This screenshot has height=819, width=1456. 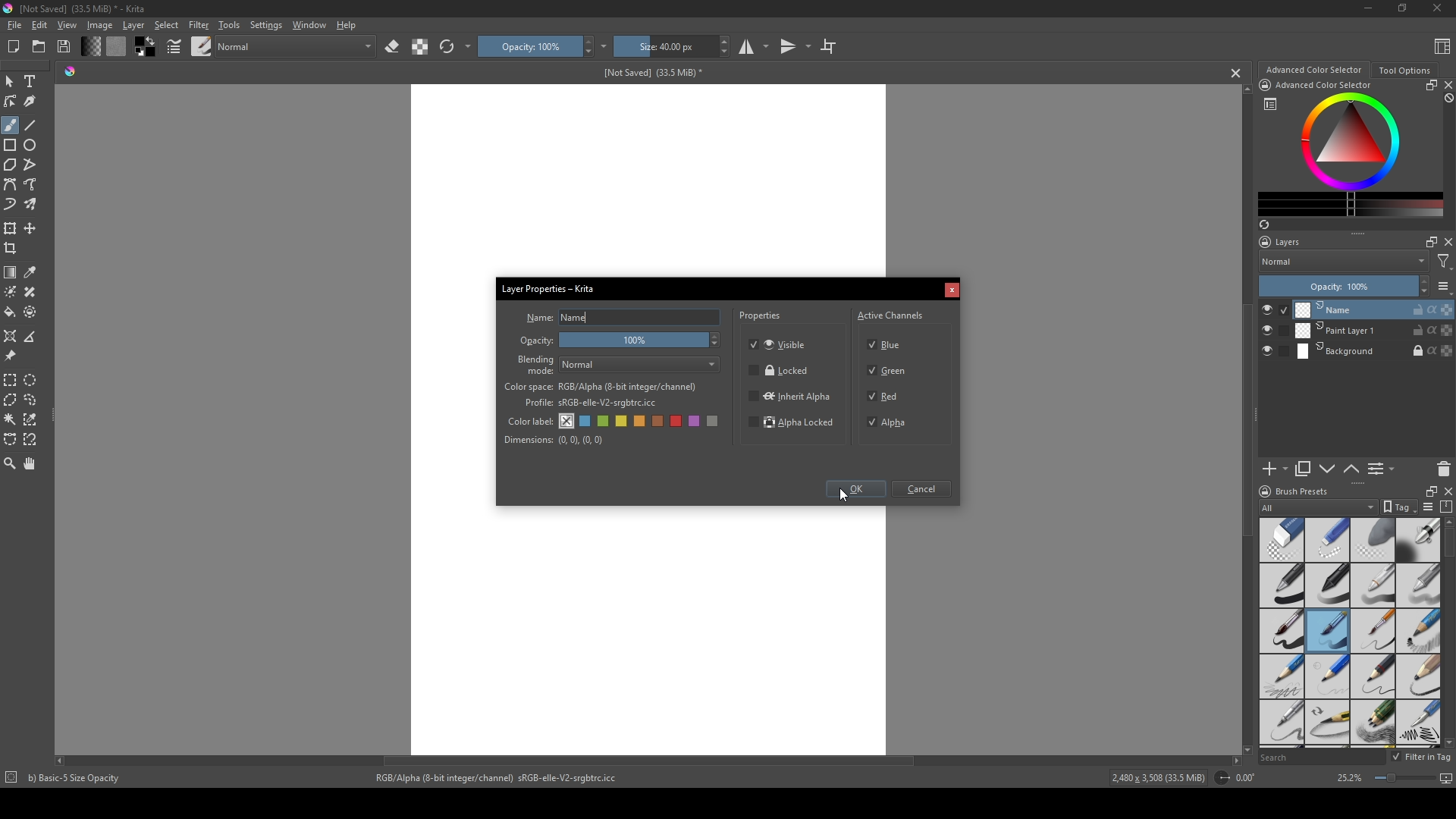 What do you see at coordinates (1419, 676) in the screenshot?
I see `pencil` at bounding box center [1419, 676].